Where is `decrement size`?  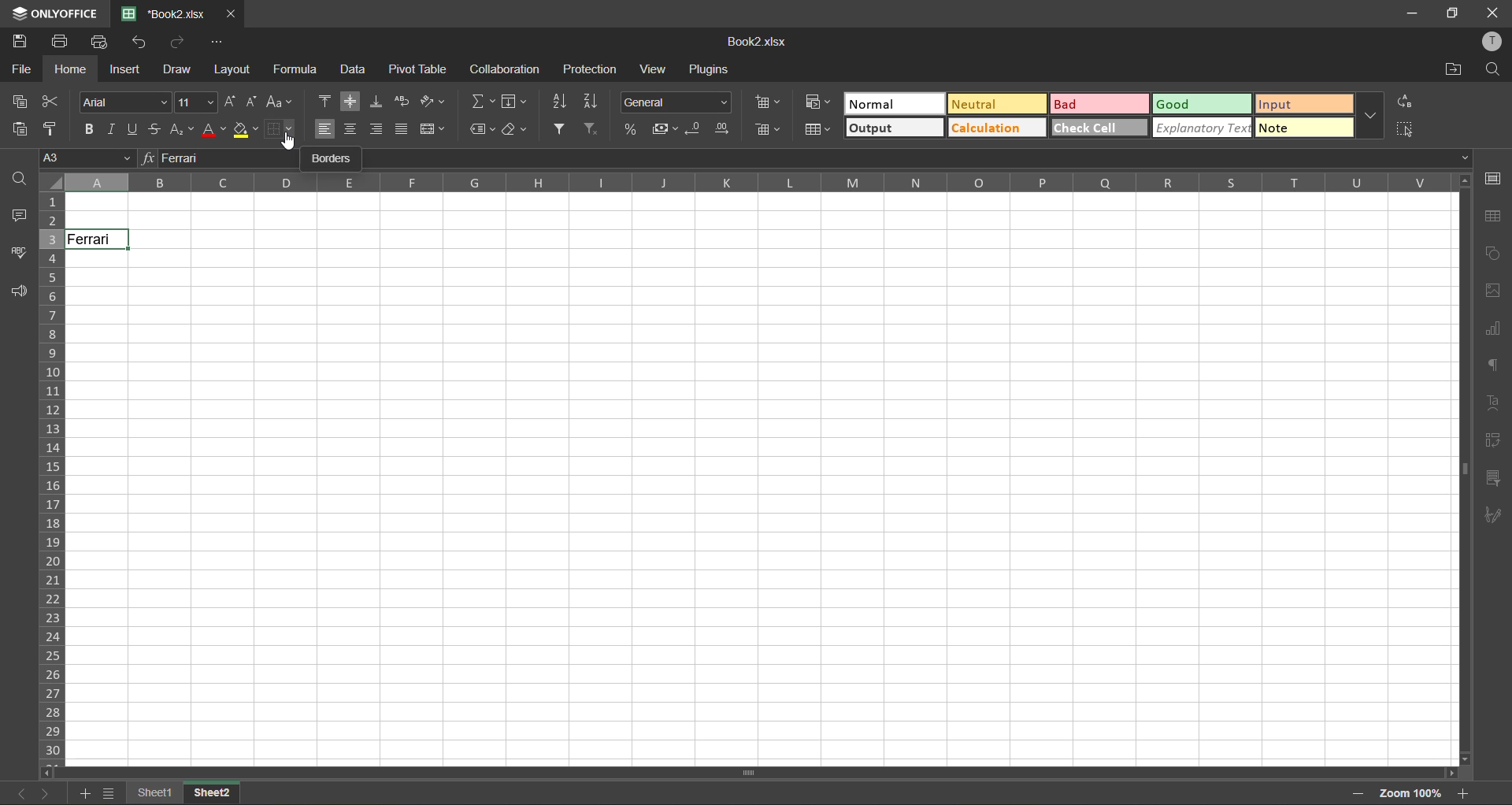
decrement size is located at coordinates (253, 101).